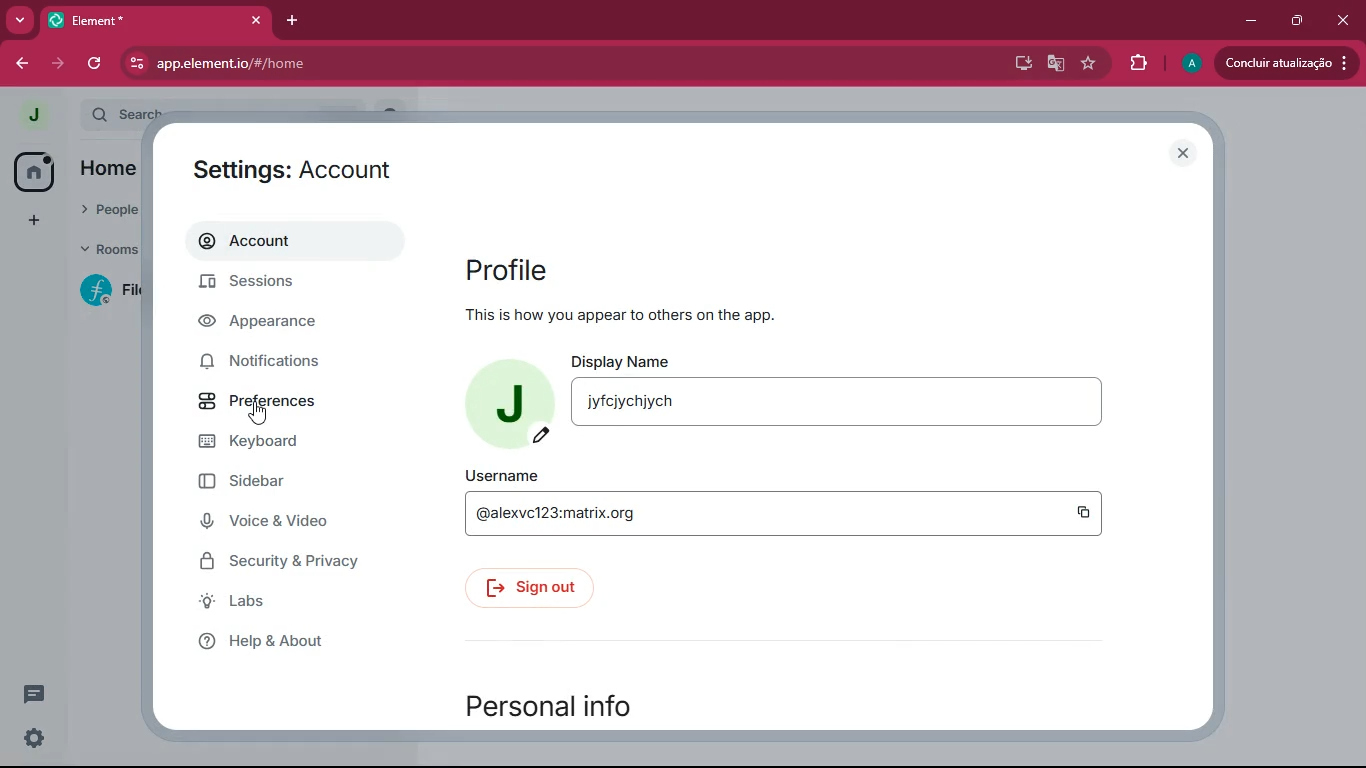  What do you see at coordinates (157, 20) in the screenshot?
I see `element` at bounding box center [157, 20].